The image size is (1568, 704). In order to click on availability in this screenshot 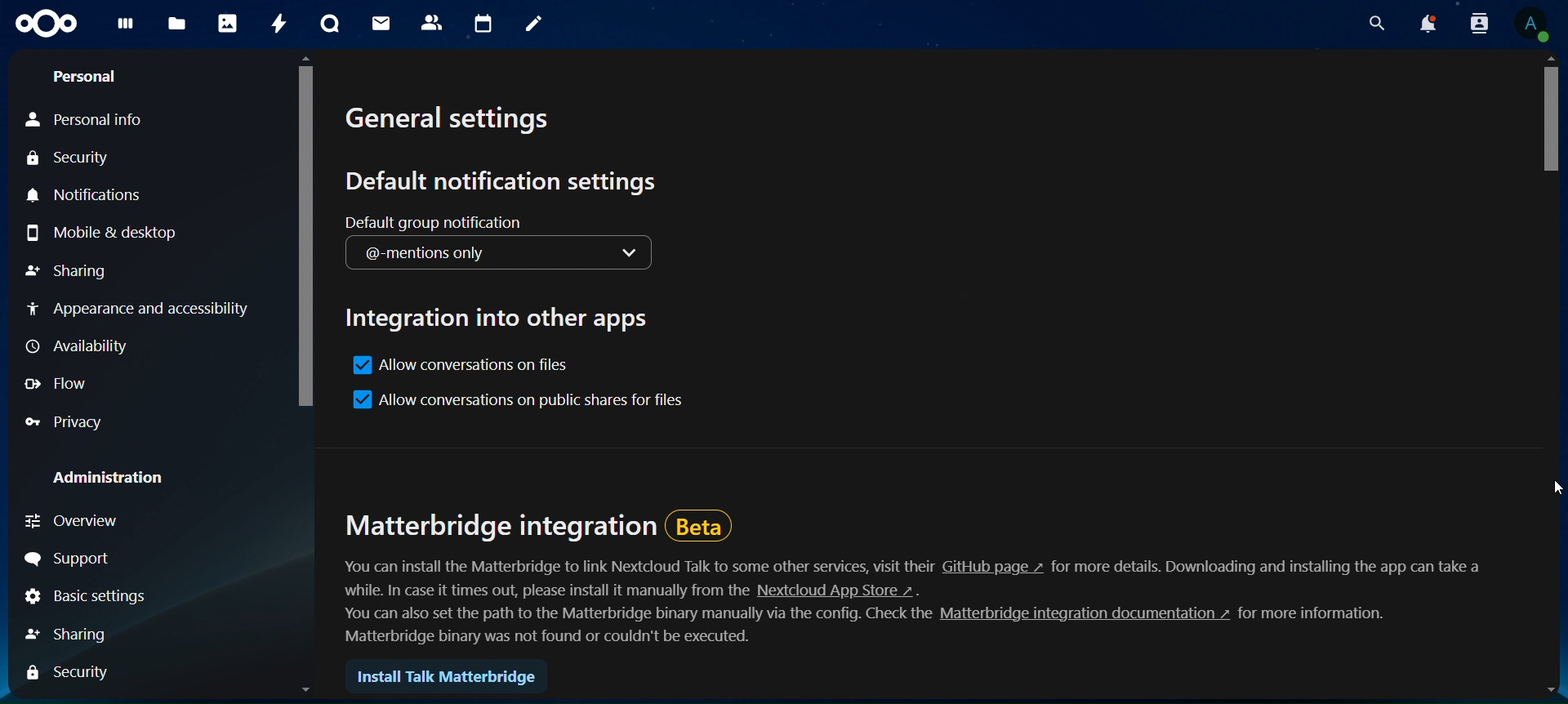, I will do `click(79, 347)`.